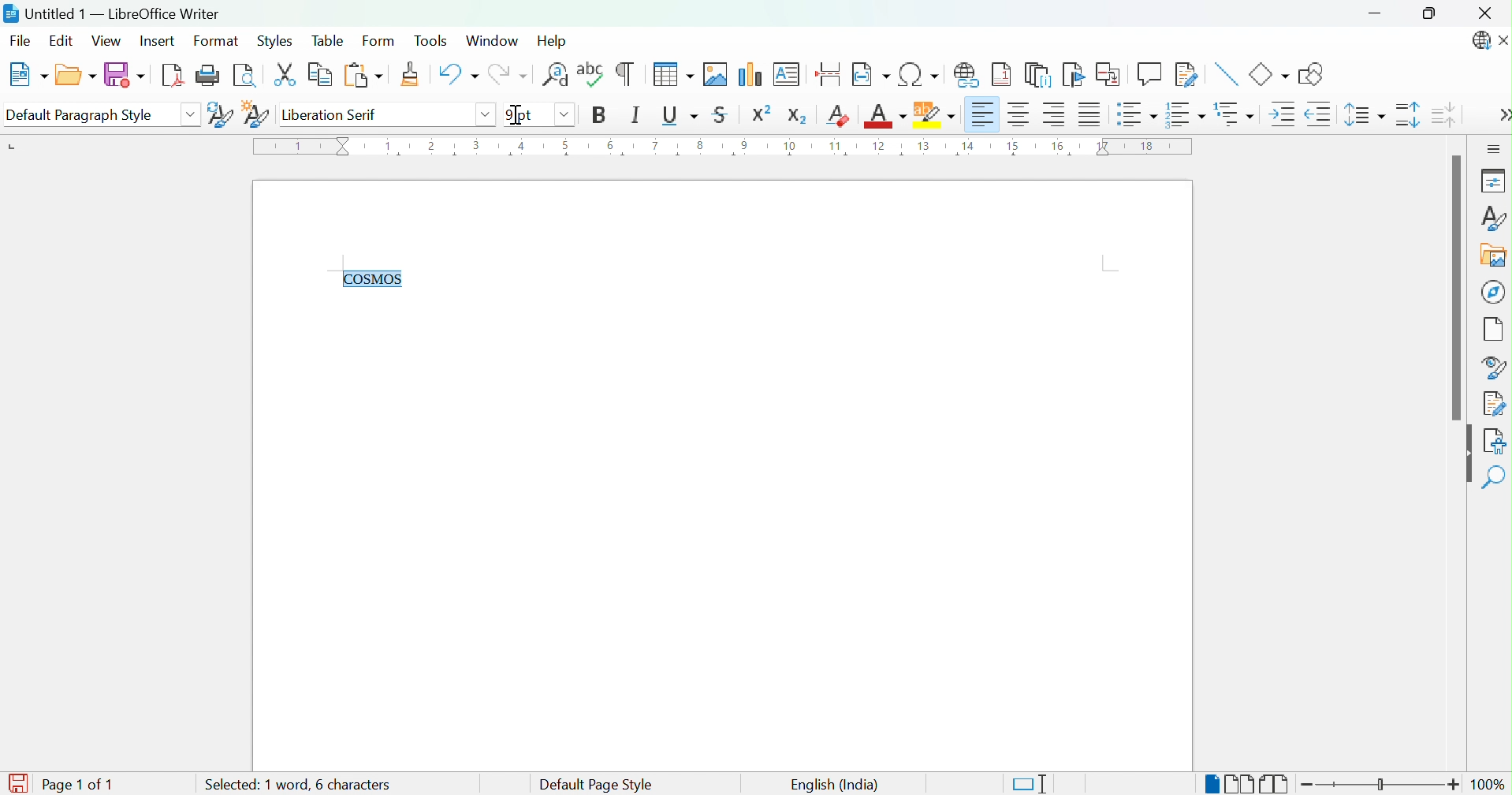 The width and height of the screenshot is (1512, 795). Describe the element at coordinates (827, 70) in the screenshot. I see `Insert Page Break` at that location.